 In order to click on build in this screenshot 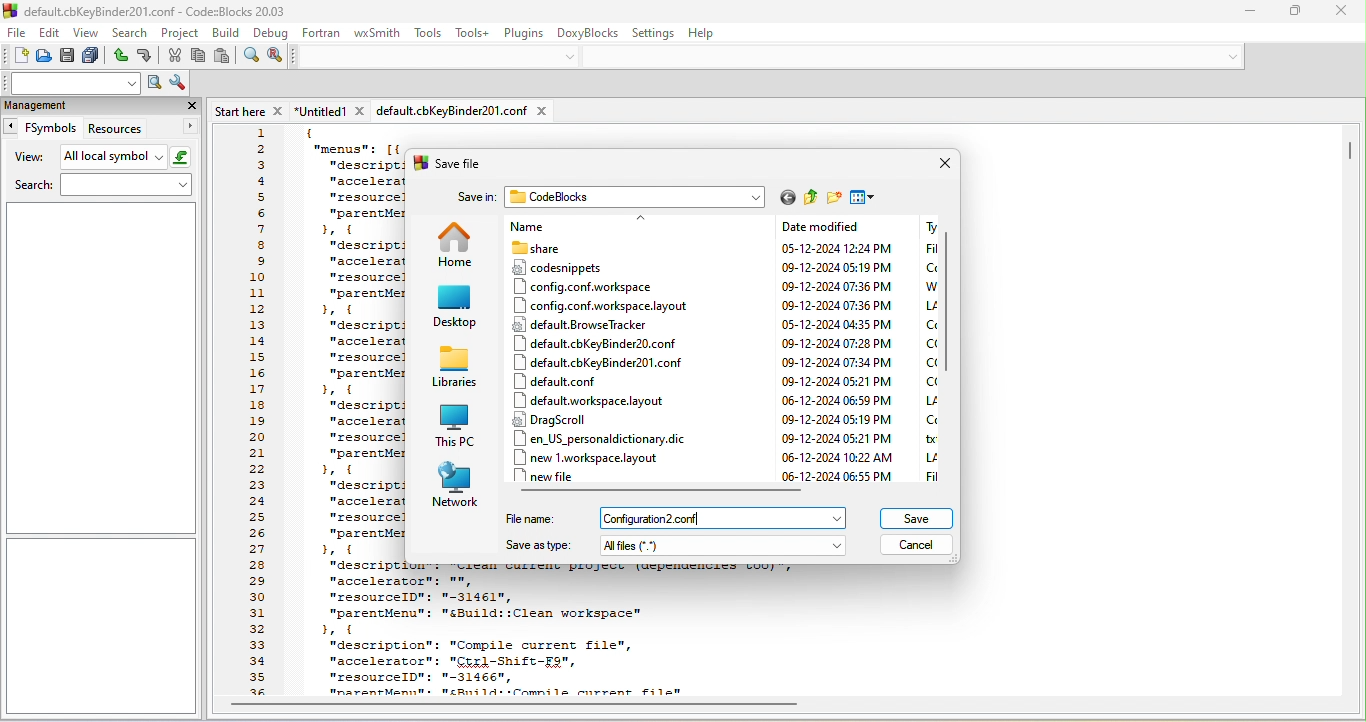, I will do `click(227, 34)`.